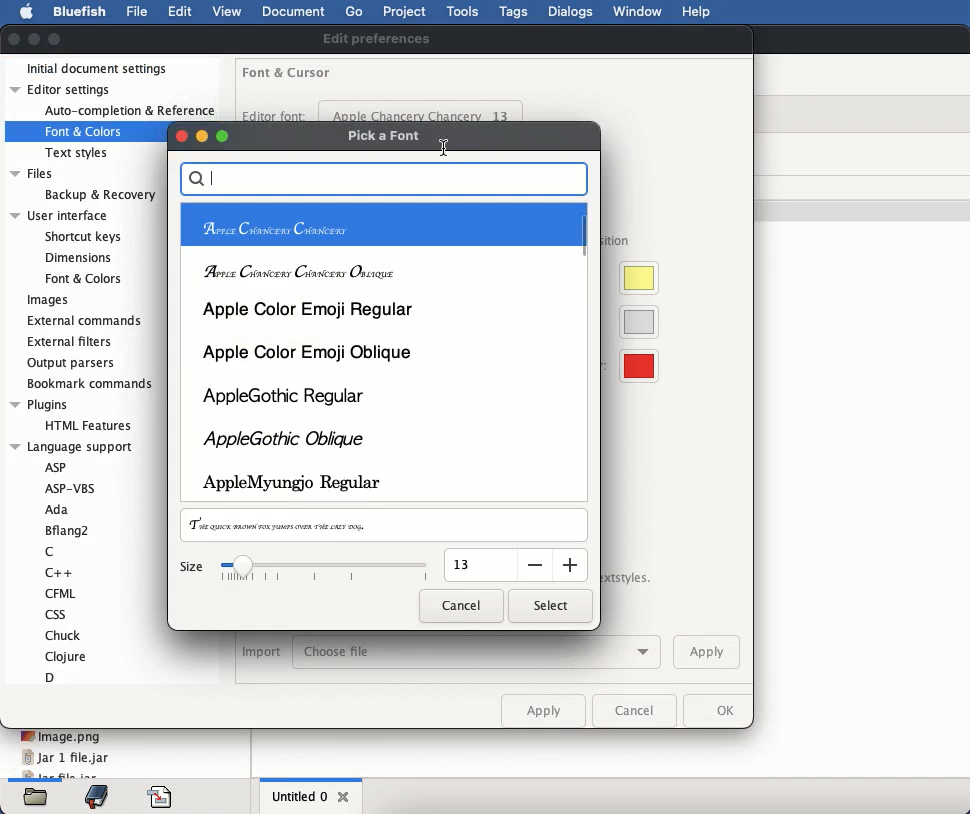 Image resolution: width=970 pixels, height=814 pixels. I want to click on apply, so click(543, 707).